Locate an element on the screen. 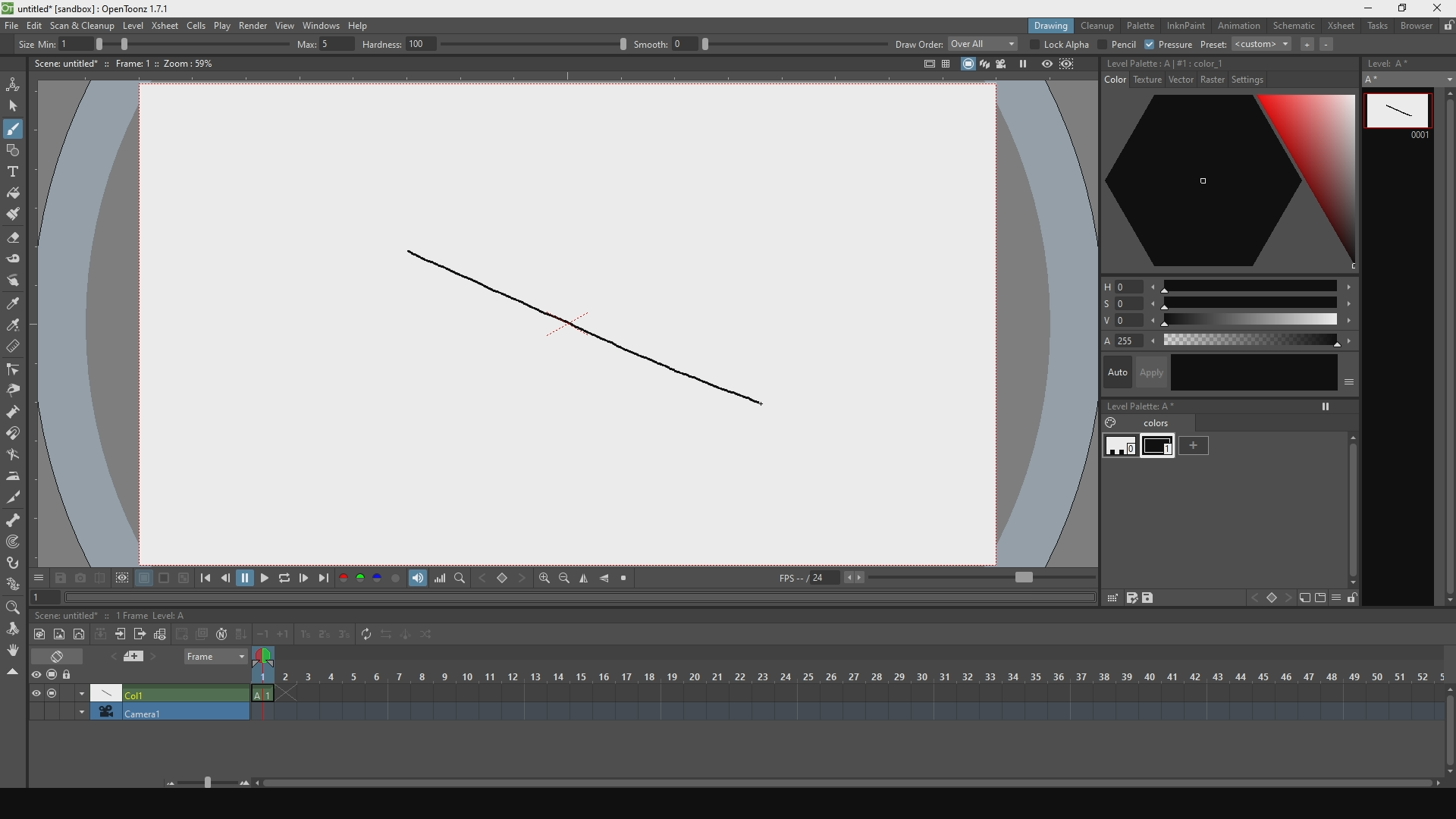  xsheet is located at coordinates (165, 25).